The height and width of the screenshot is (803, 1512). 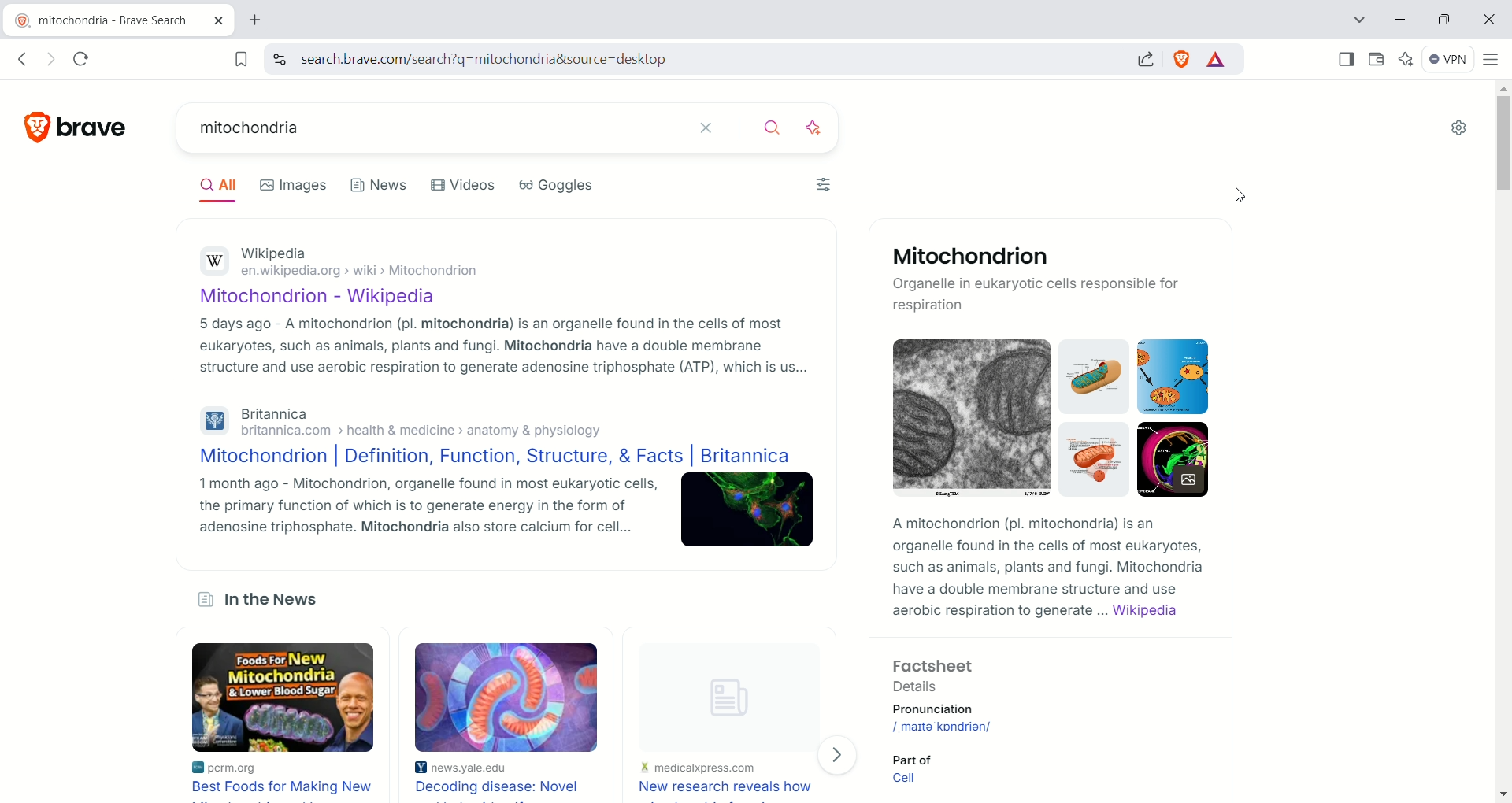 What do you see at coordinates (1240, 194) in the screenshot?
I see `Cursor` at bounding box center [1240, 194].